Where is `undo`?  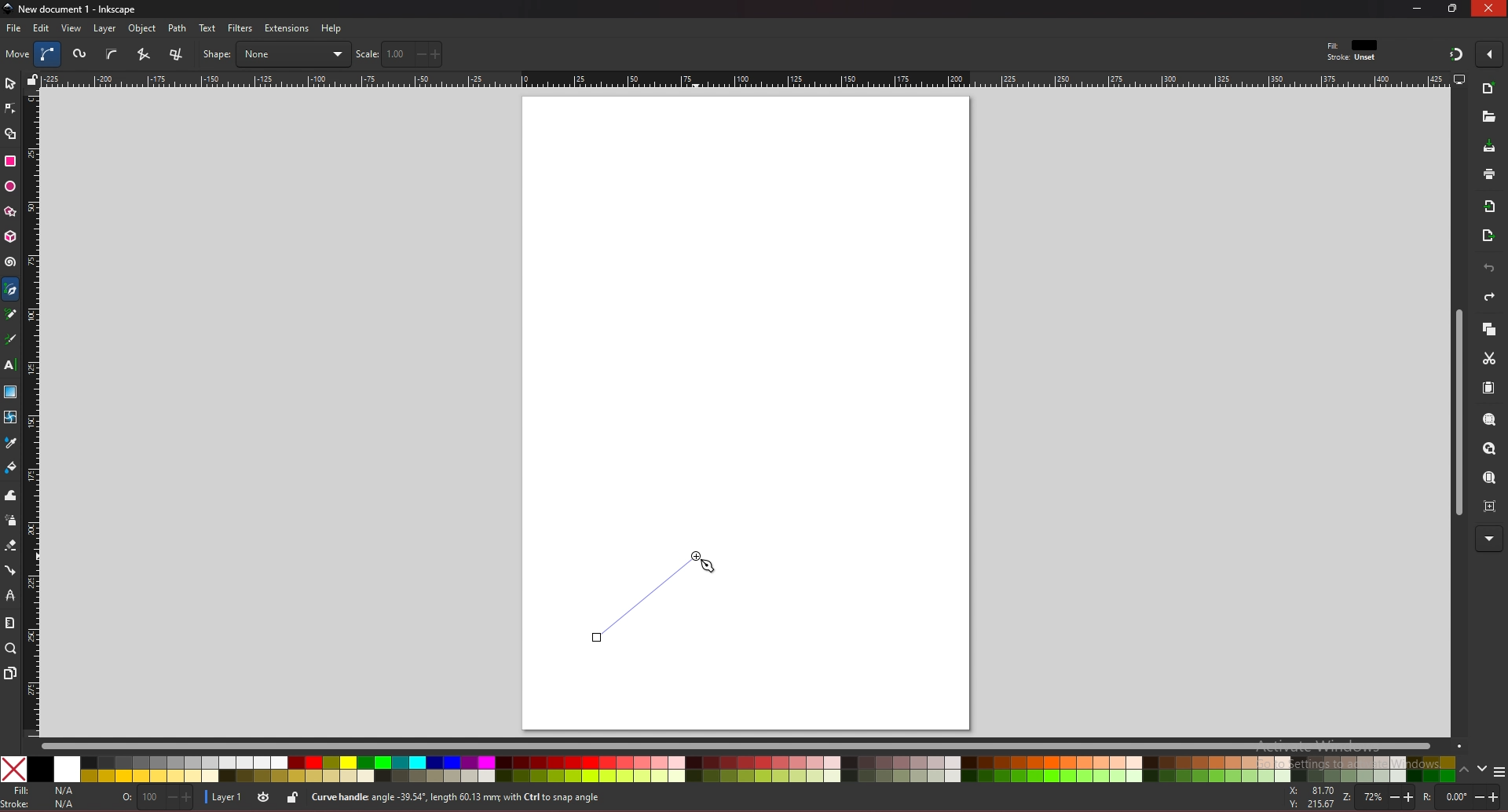
undo is located at coordinates (1489, 269).